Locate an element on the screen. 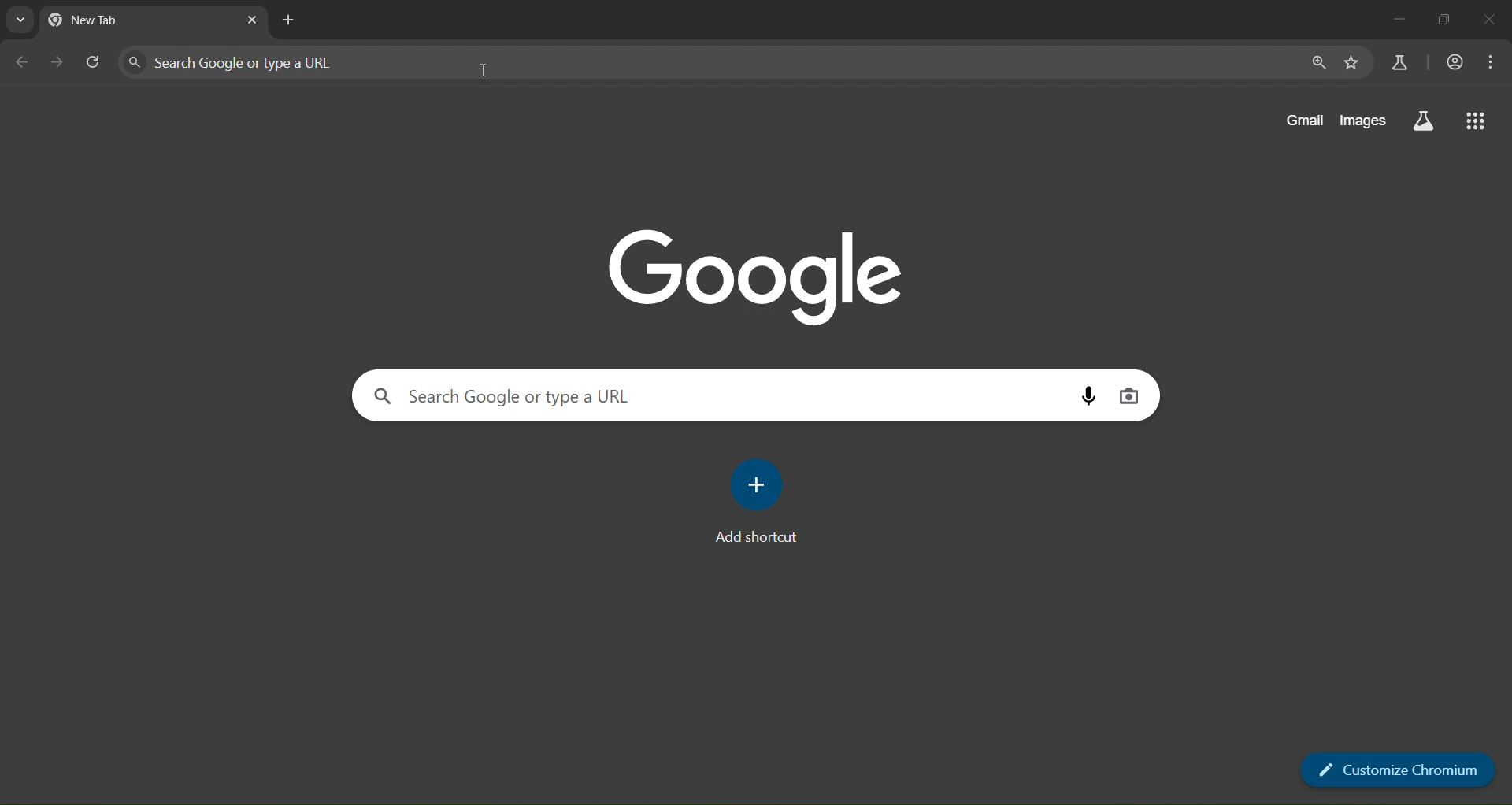 This screenshot has width=1512, height=805. google apps is located at coordinates (1473, 123).